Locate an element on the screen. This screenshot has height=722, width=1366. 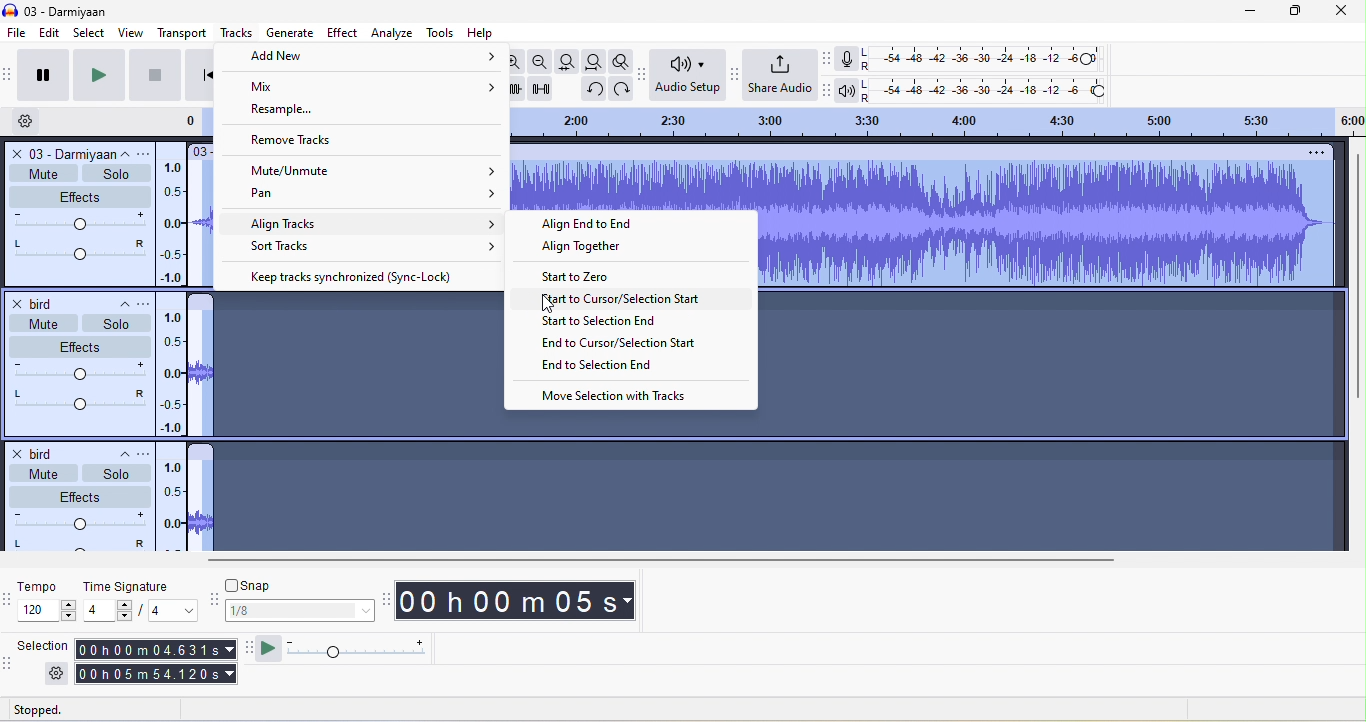
align together is located at coordinates (596, 251).